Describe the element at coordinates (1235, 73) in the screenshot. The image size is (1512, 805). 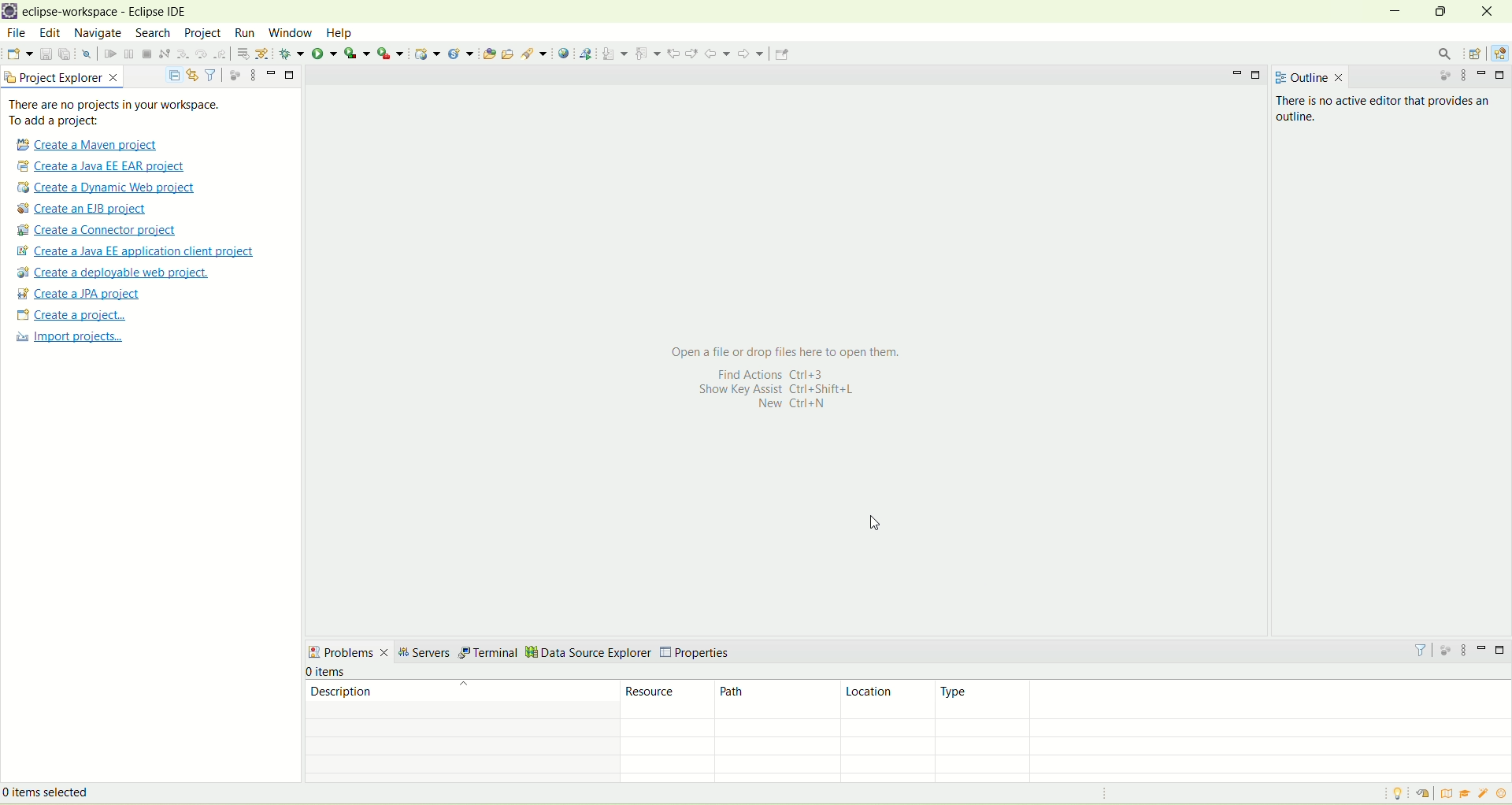
I see `minimize` at that location.